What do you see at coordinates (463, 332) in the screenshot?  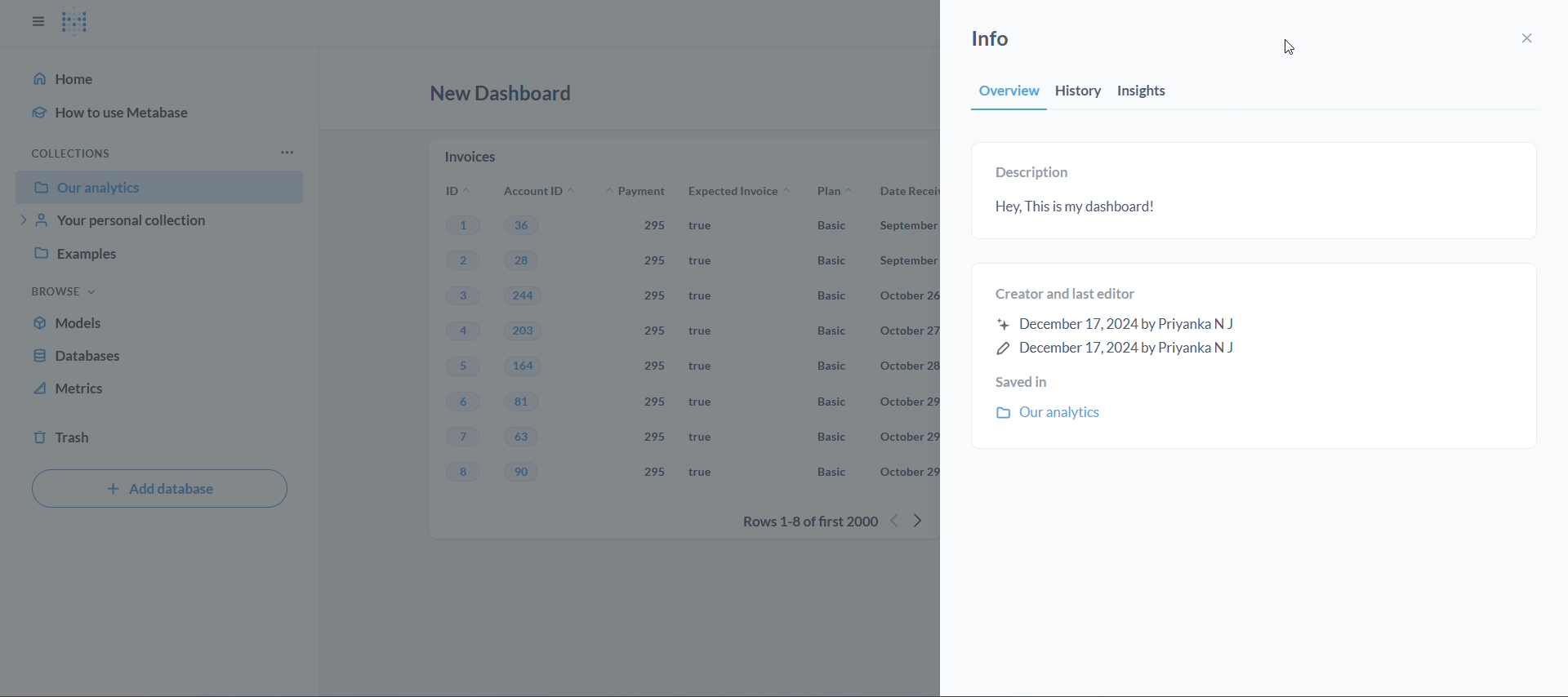 I see `4` at bounding box center [463, 332].